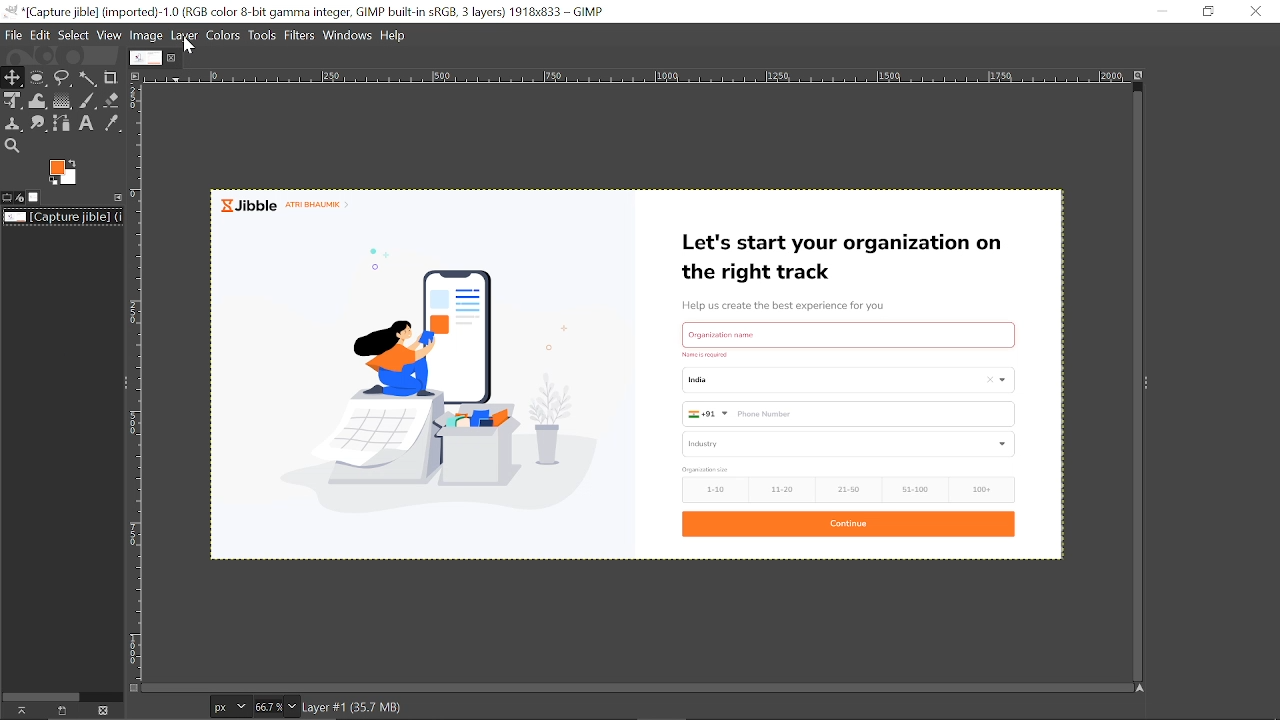 Image resolution: width=1280 pixels, height=720 pixels. Describe the element at coordinates (11, 145) in the screenshot. I see `Zoom tool` at that location.